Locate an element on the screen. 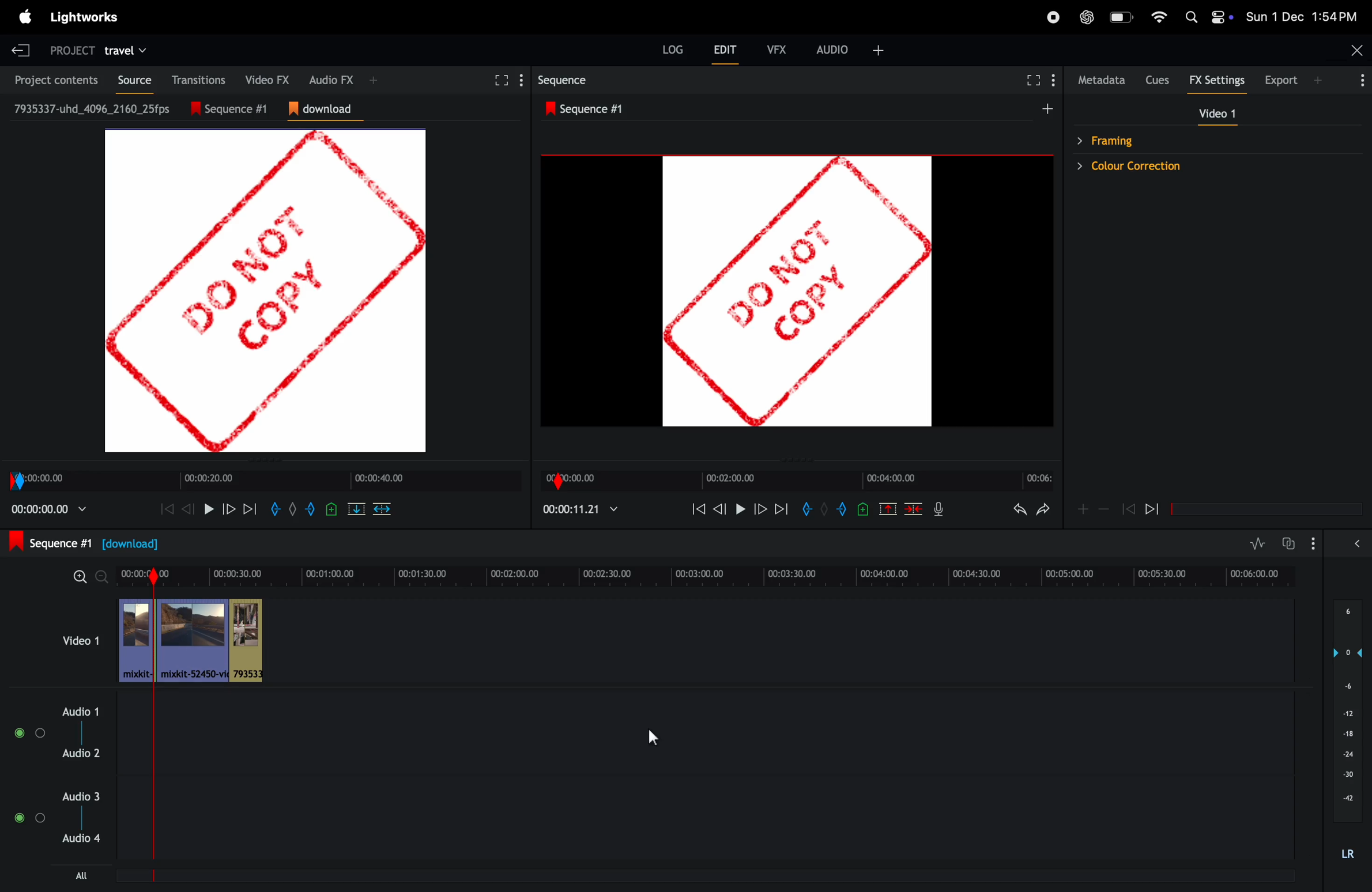 The height and width of the screenshot is (892, 1372). options is located at coordinates (1313, 543).